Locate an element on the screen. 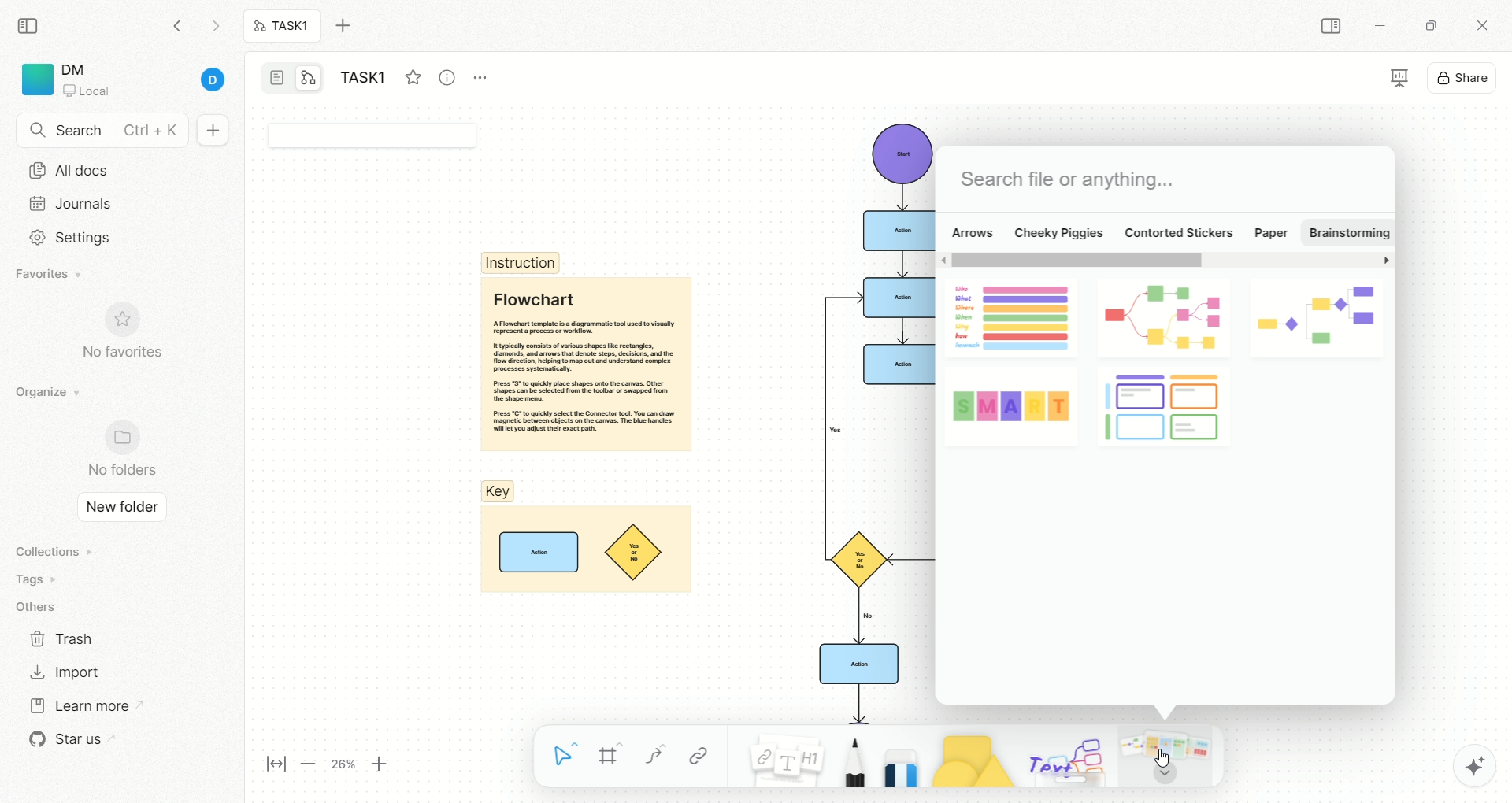  curve is located at coordinates (654, 758).